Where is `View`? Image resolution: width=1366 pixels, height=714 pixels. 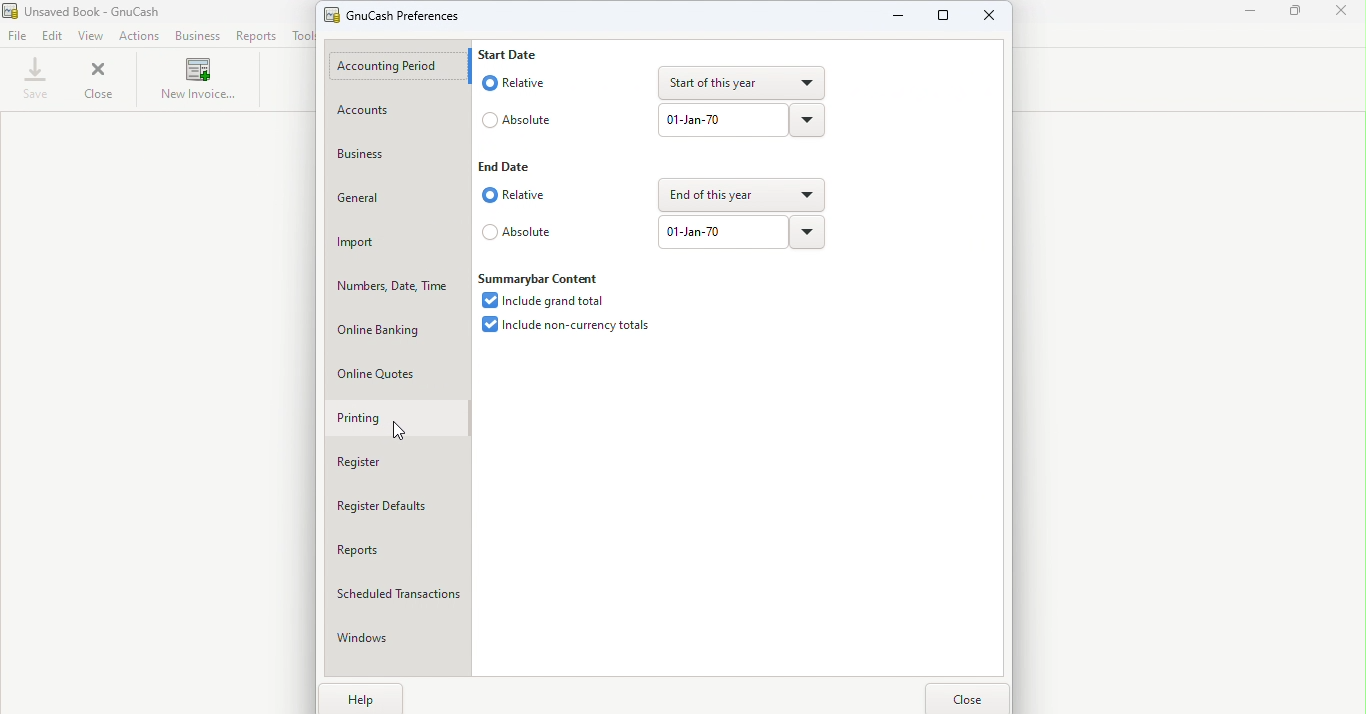
View is located at coordinates (92, 36).